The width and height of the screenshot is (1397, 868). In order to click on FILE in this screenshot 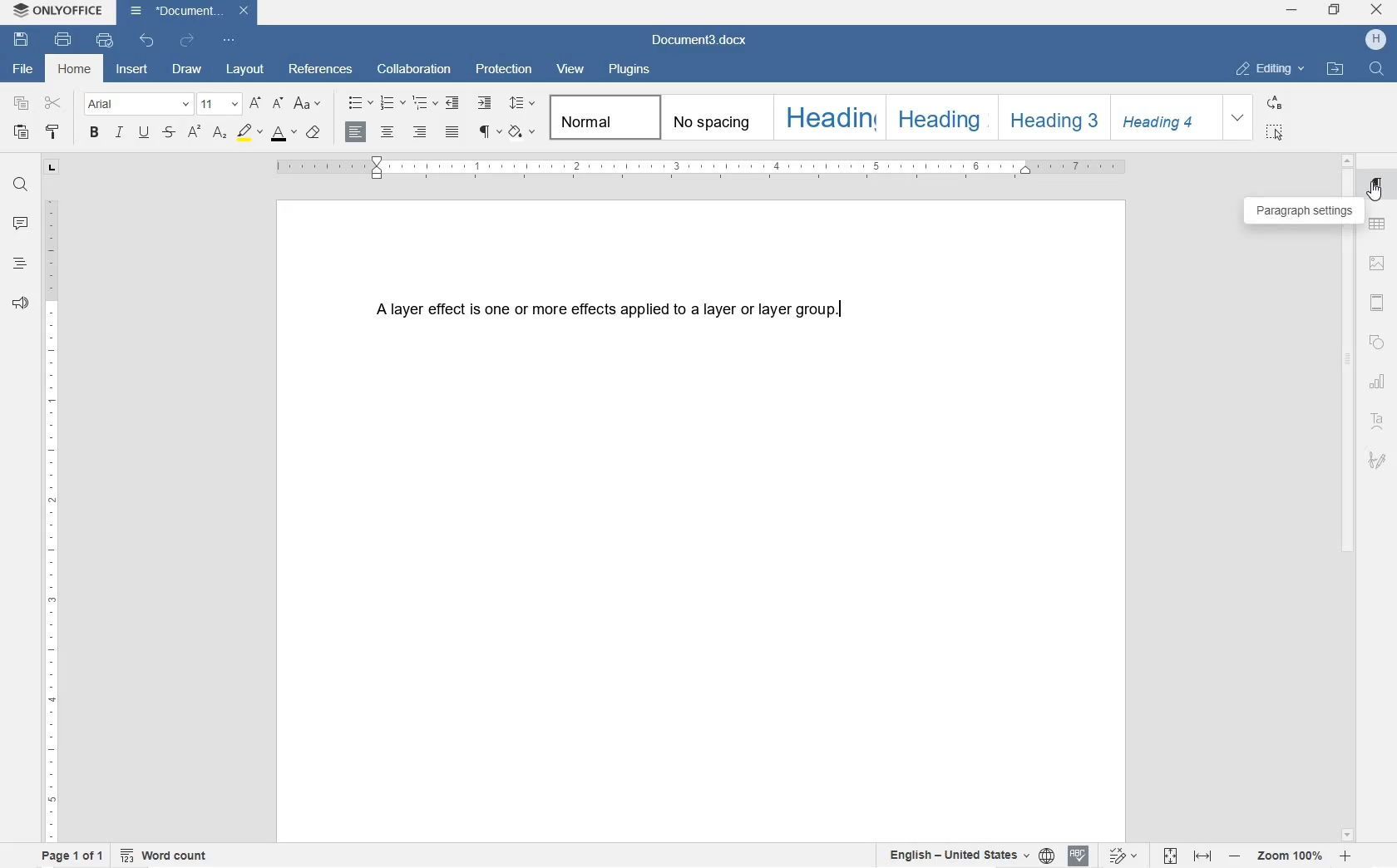, I will do `click(21, 69)`.